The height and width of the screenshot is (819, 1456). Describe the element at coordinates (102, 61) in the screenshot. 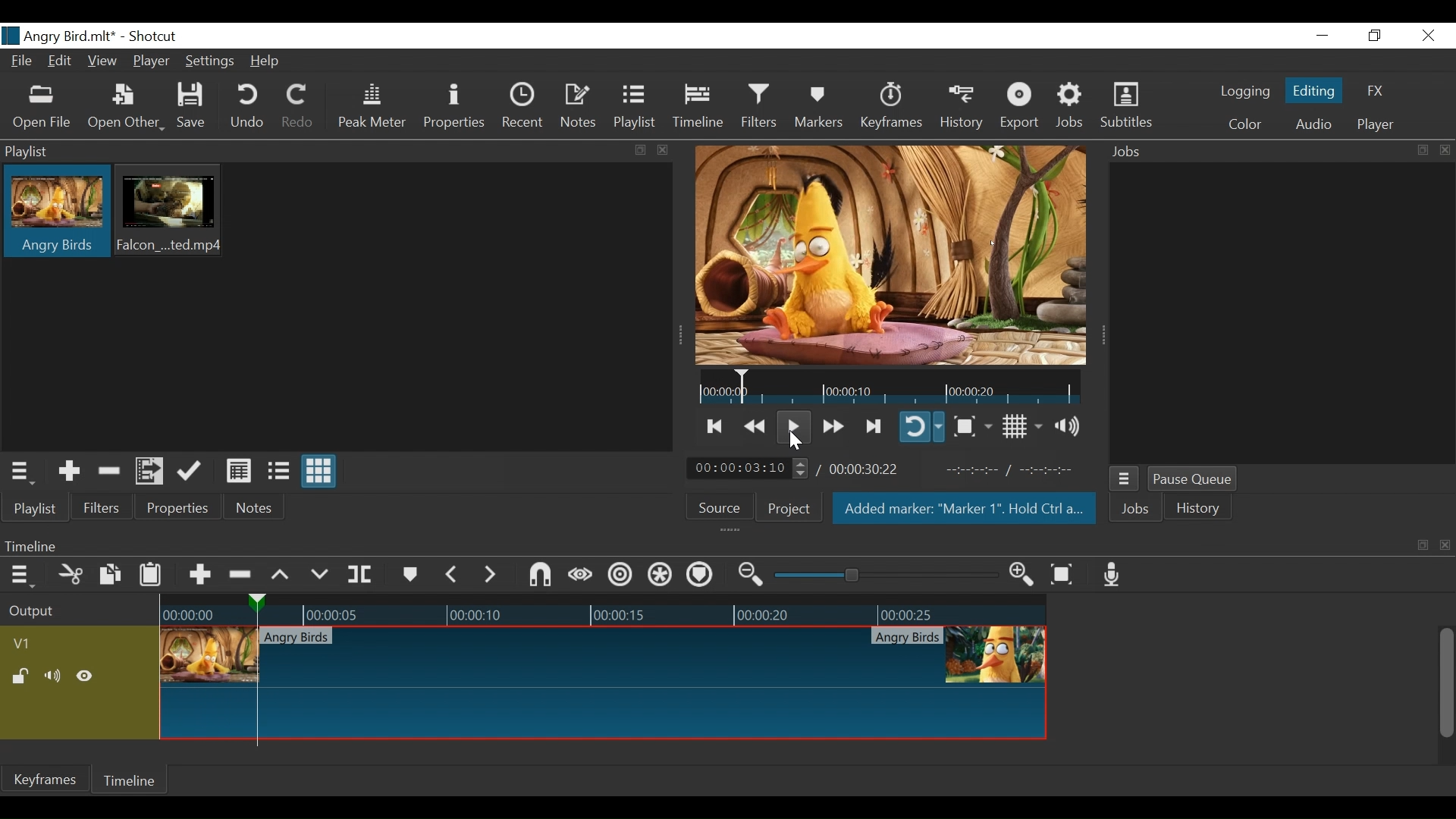

I see `View` at that location.